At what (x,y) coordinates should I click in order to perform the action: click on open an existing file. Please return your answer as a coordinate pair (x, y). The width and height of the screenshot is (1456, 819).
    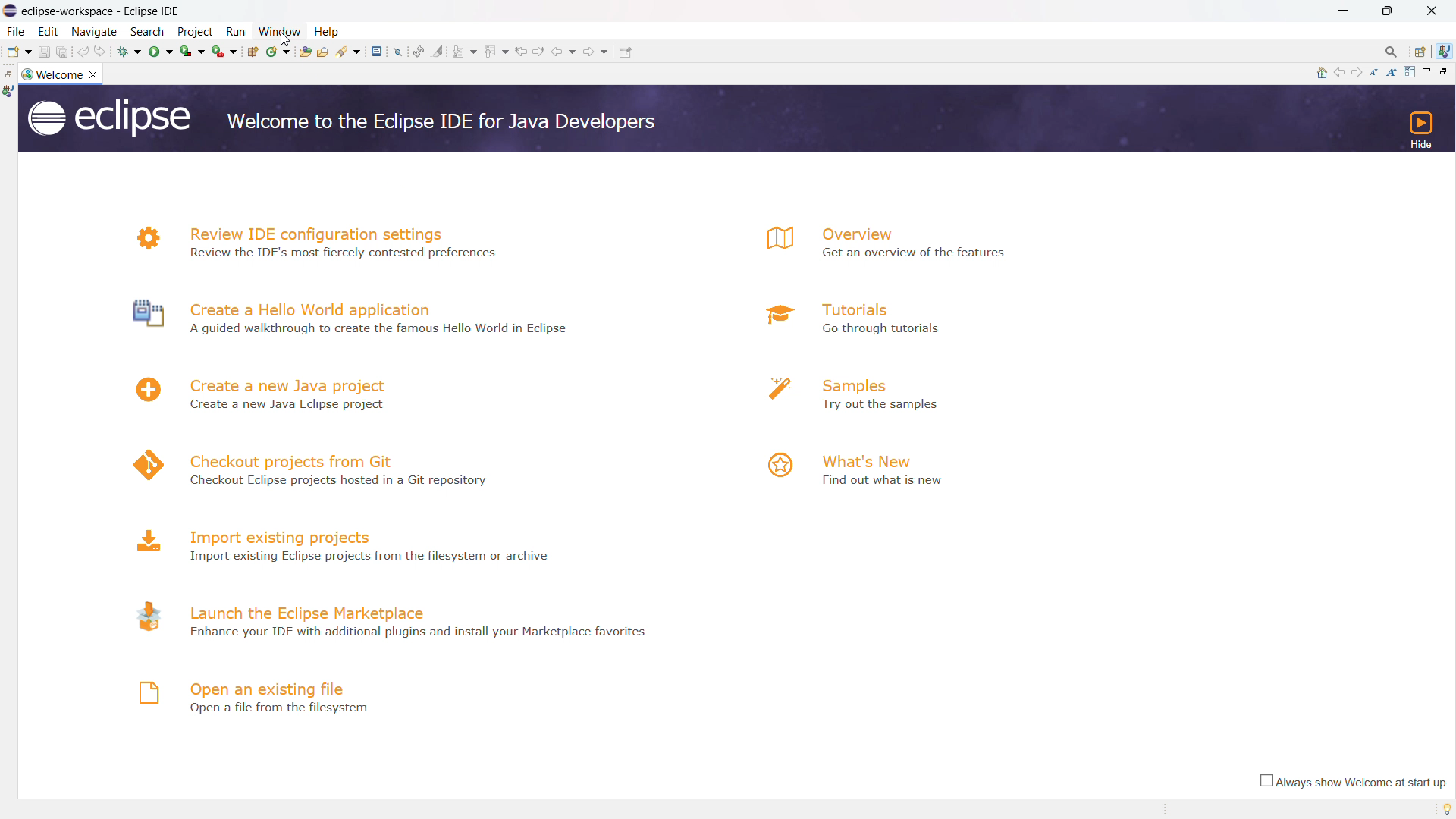
    Looking at the image, I should click on (268, 688).